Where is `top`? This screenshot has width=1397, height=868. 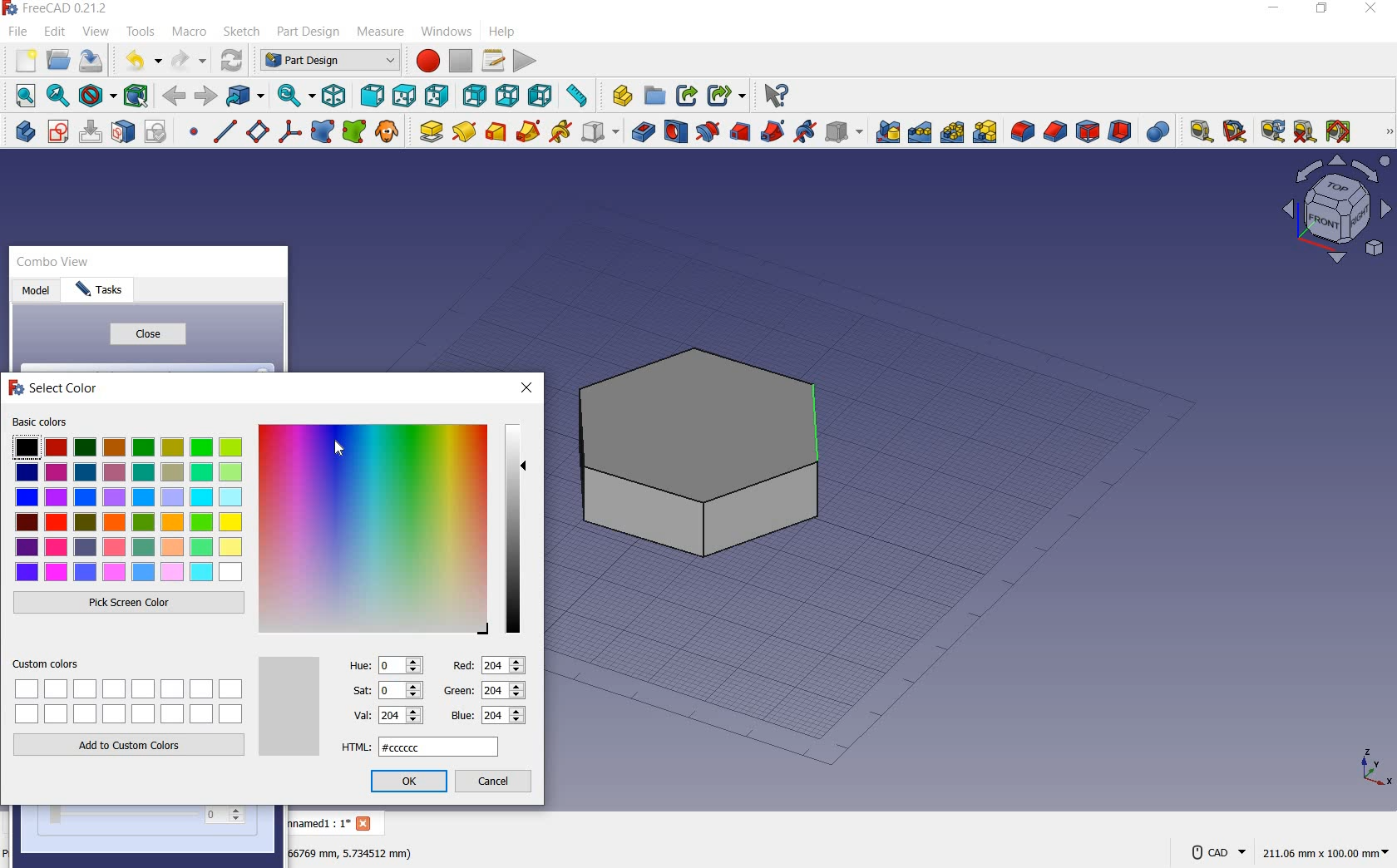
top is located at coordinates (402, 94).